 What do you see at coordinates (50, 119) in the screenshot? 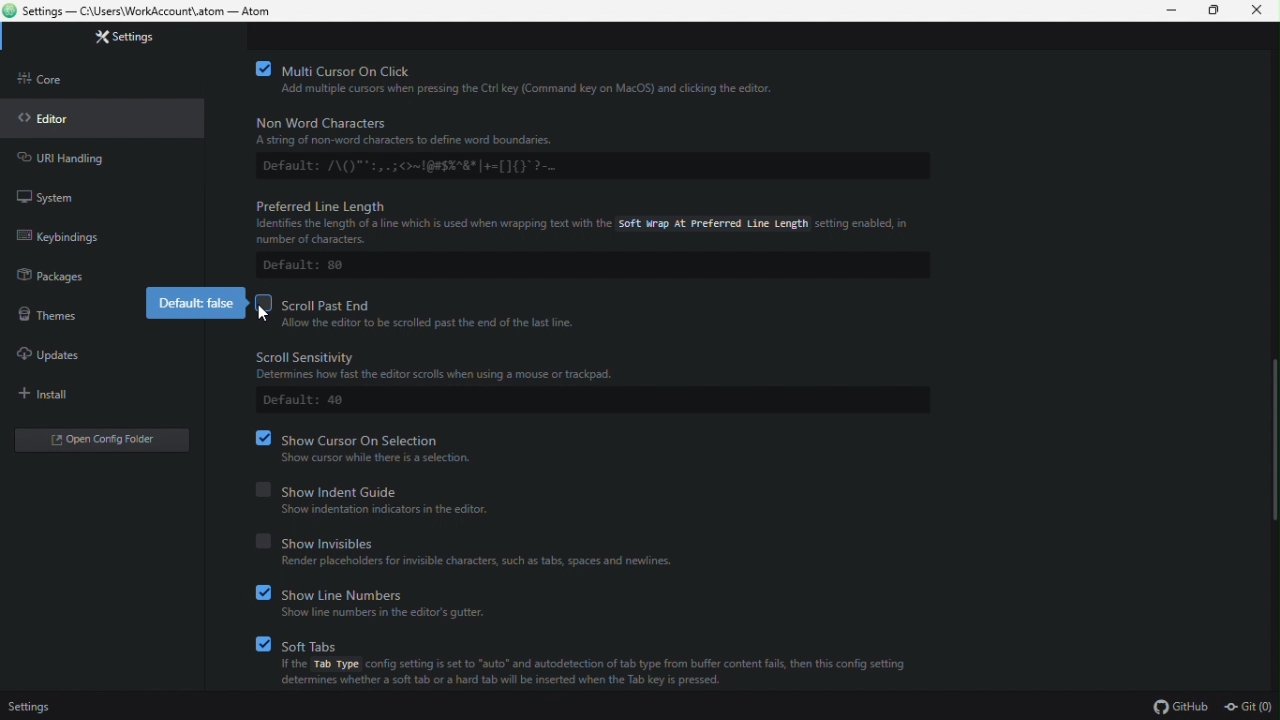
I see `Editor` at bounding box center [50, 119].